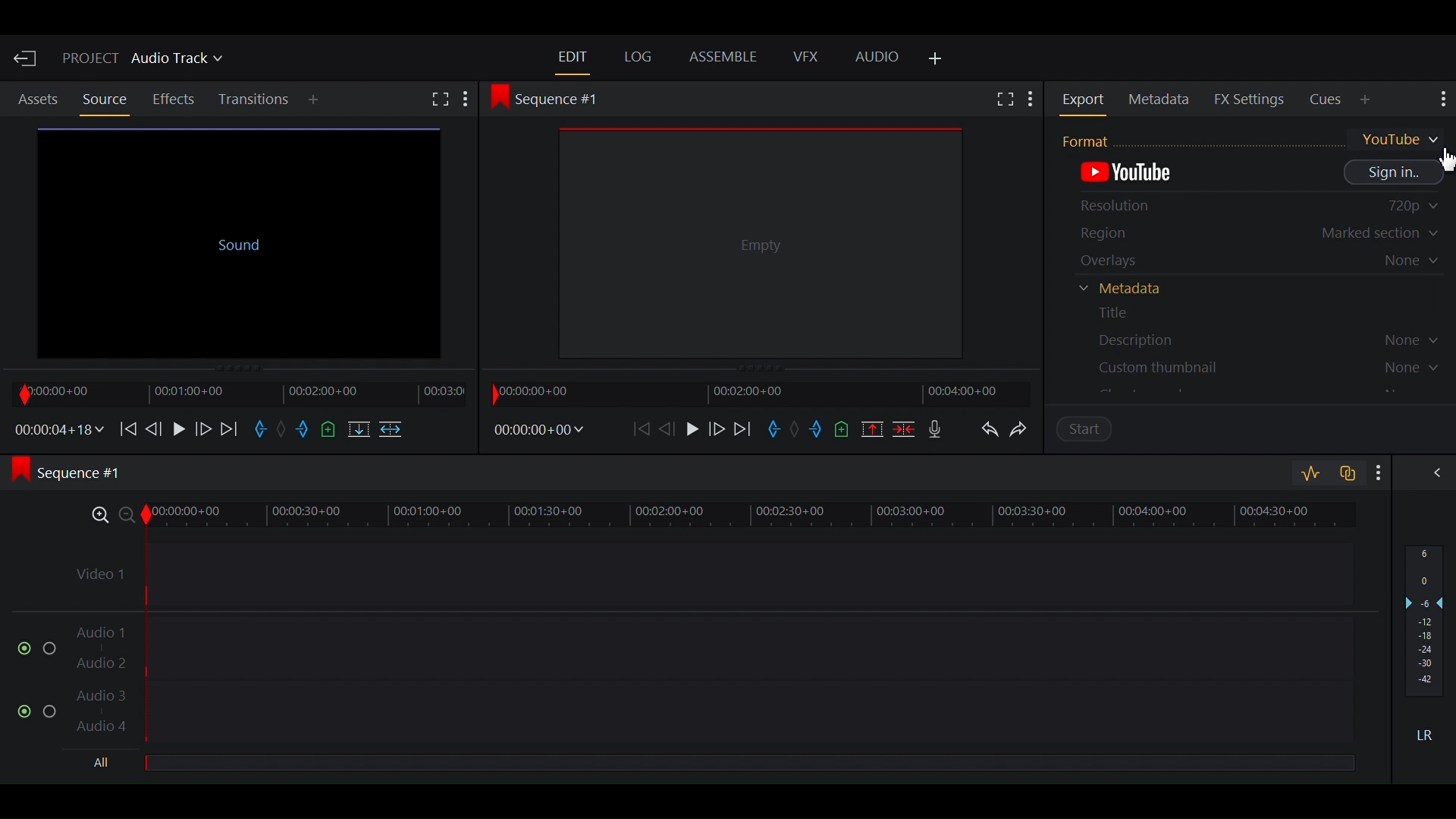 Image resolution: width=1456 pixels, height=819 pixels. Describe the element at coordinates (38, 100) in the screenshot. I see `Assets` at that location.